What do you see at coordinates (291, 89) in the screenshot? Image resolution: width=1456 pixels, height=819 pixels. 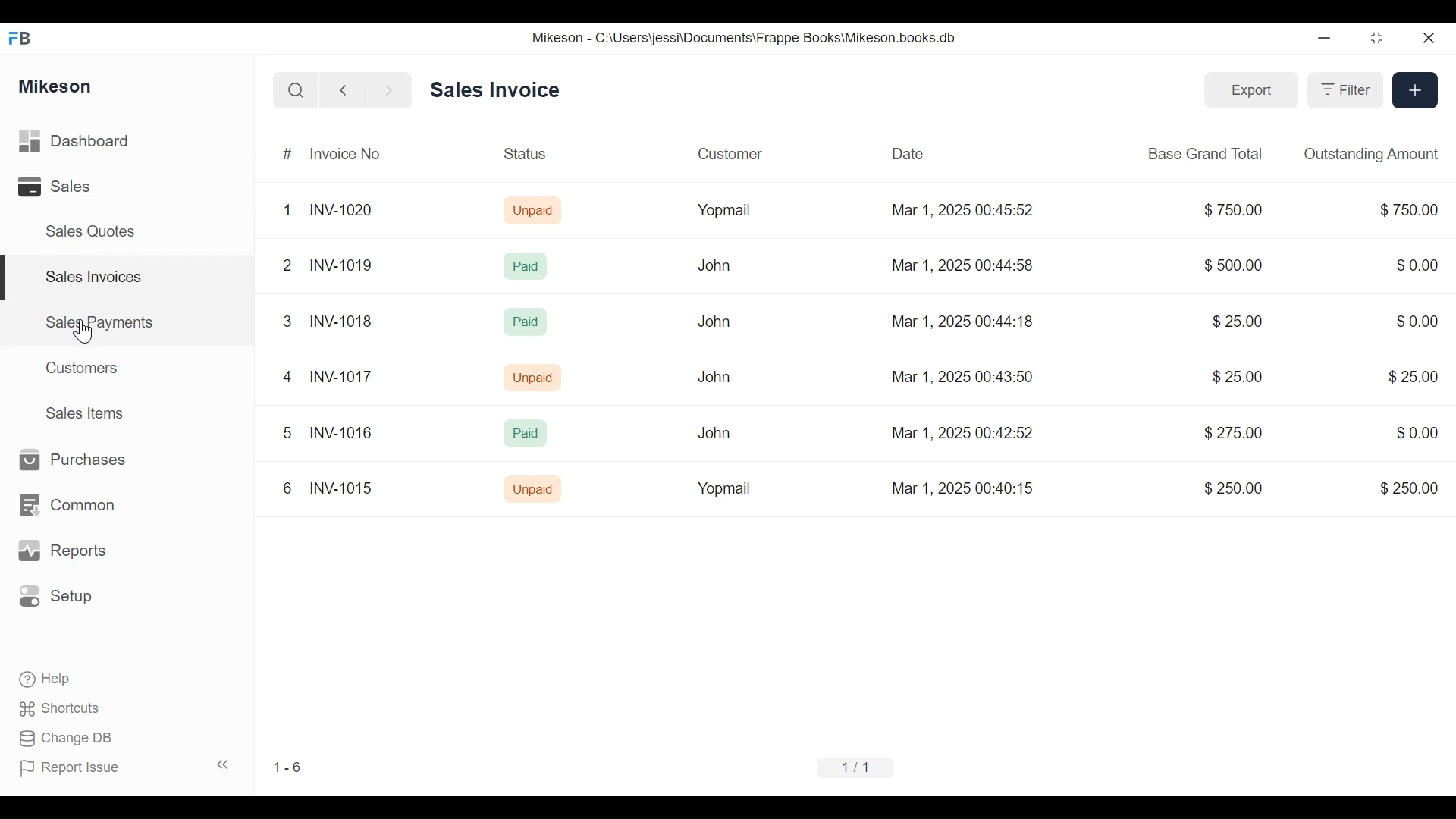 I see `Search` at bounding box center [291, 89].